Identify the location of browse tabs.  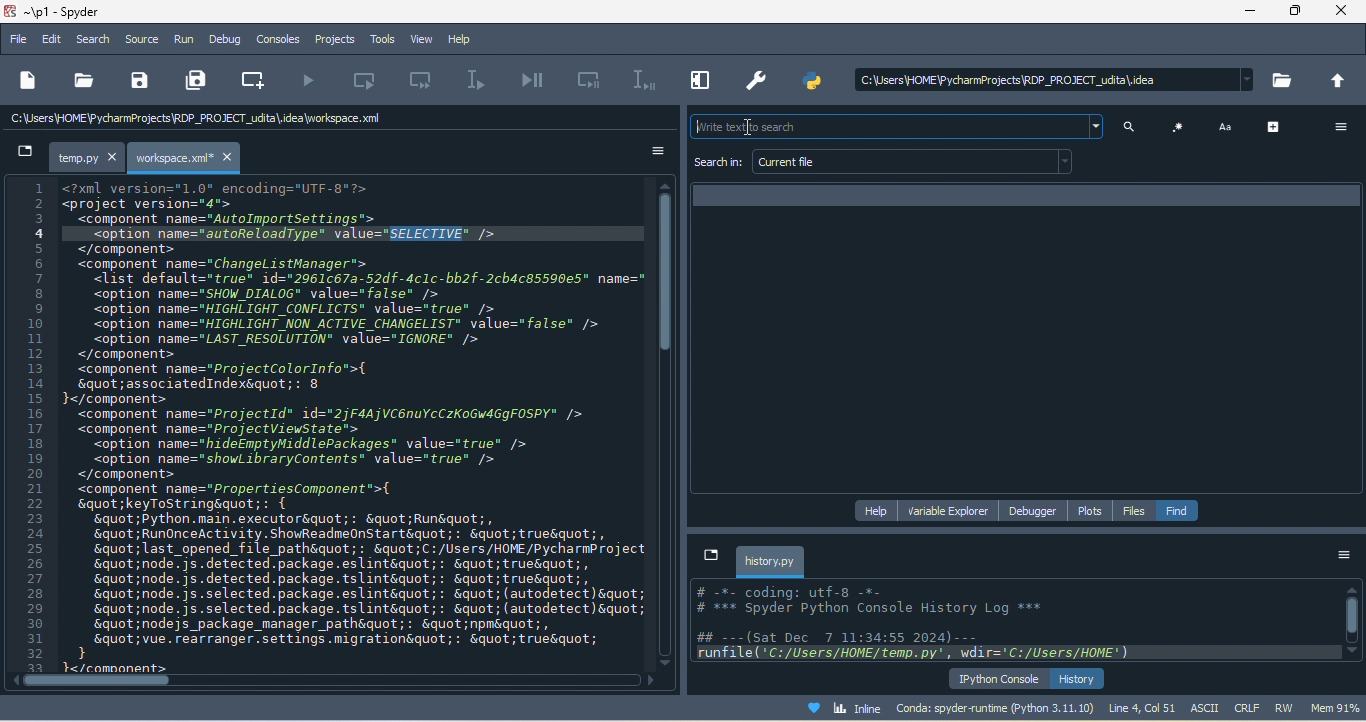
(24, 155).